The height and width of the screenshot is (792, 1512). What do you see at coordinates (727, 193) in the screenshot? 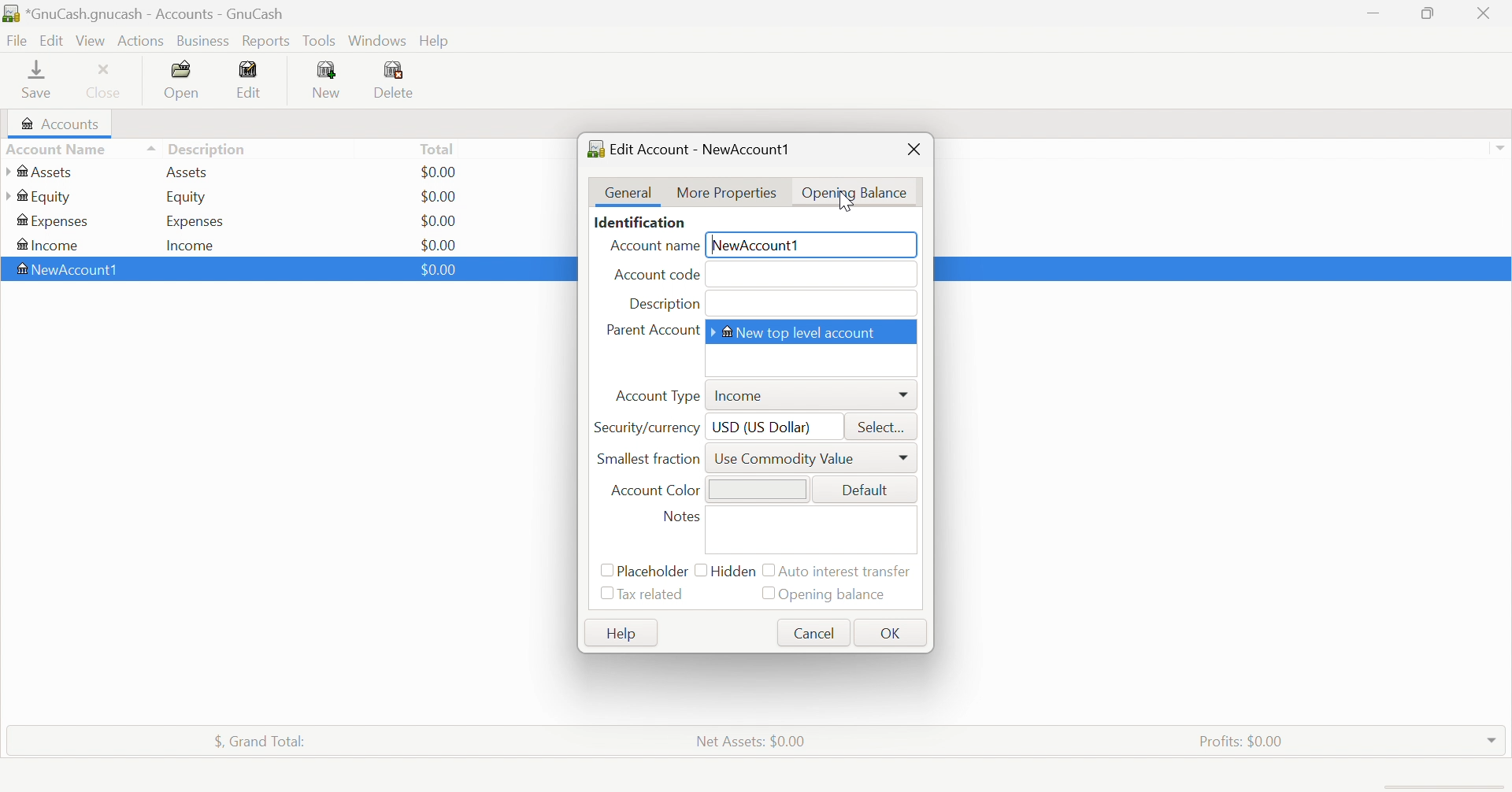
I see `More Properties` at bounding box center [727, 193].